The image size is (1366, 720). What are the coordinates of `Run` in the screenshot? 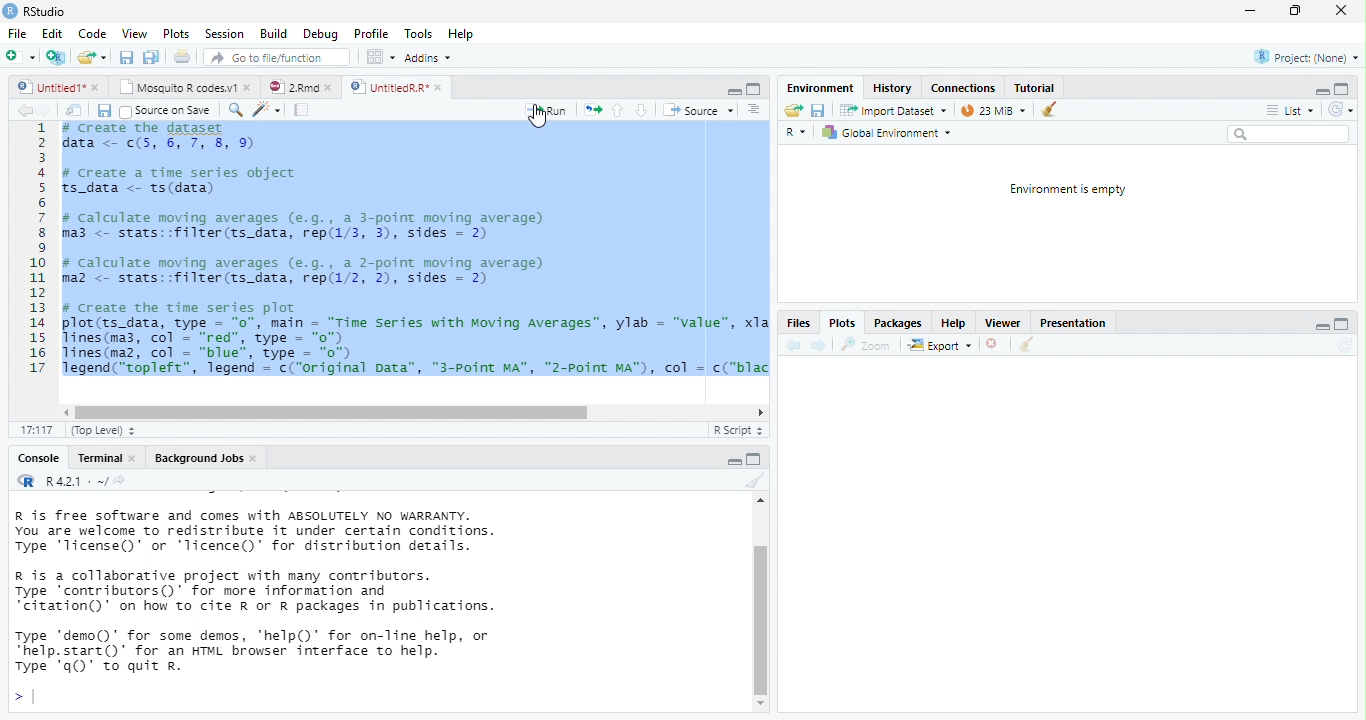 It's located at (547, 111).